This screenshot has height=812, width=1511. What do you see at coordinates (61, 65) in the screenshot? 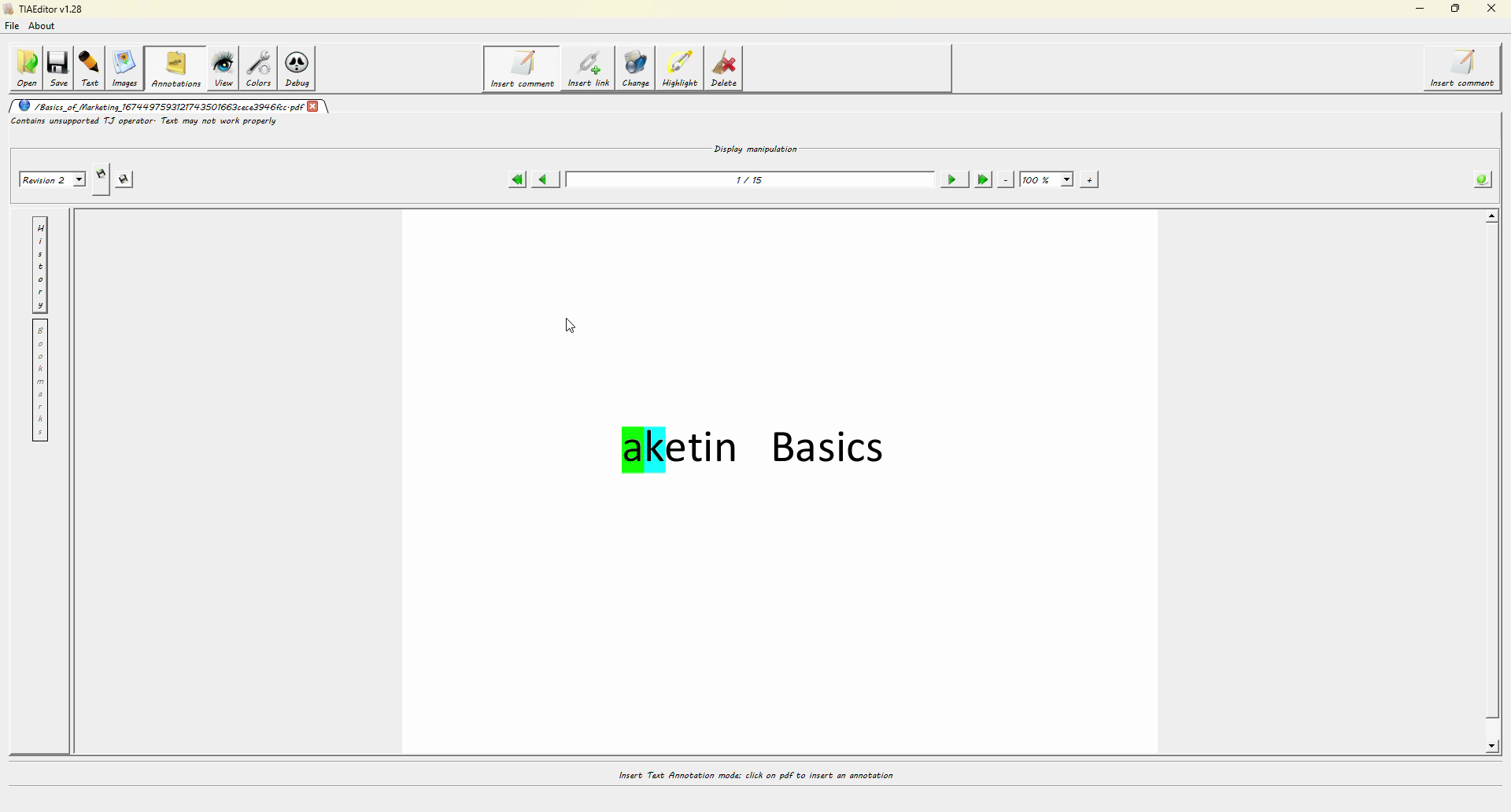
I see `save` at bounding box center [61, 65].